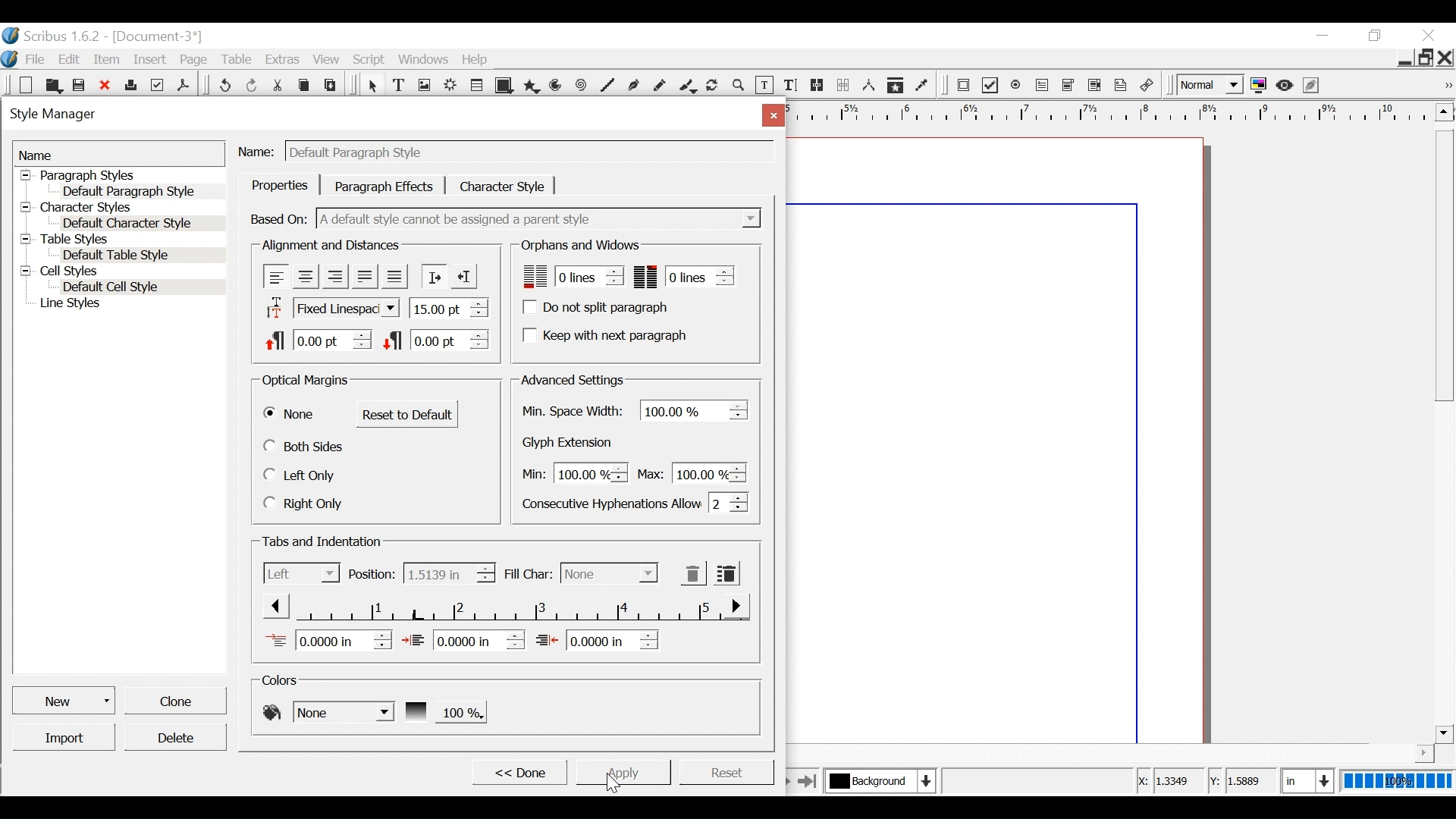 Image resolution: width=1456 pixels, height=819 pixels. Describe the element at coordinates (448, 573) in the screenshot. I see `Position of tab` at that location.